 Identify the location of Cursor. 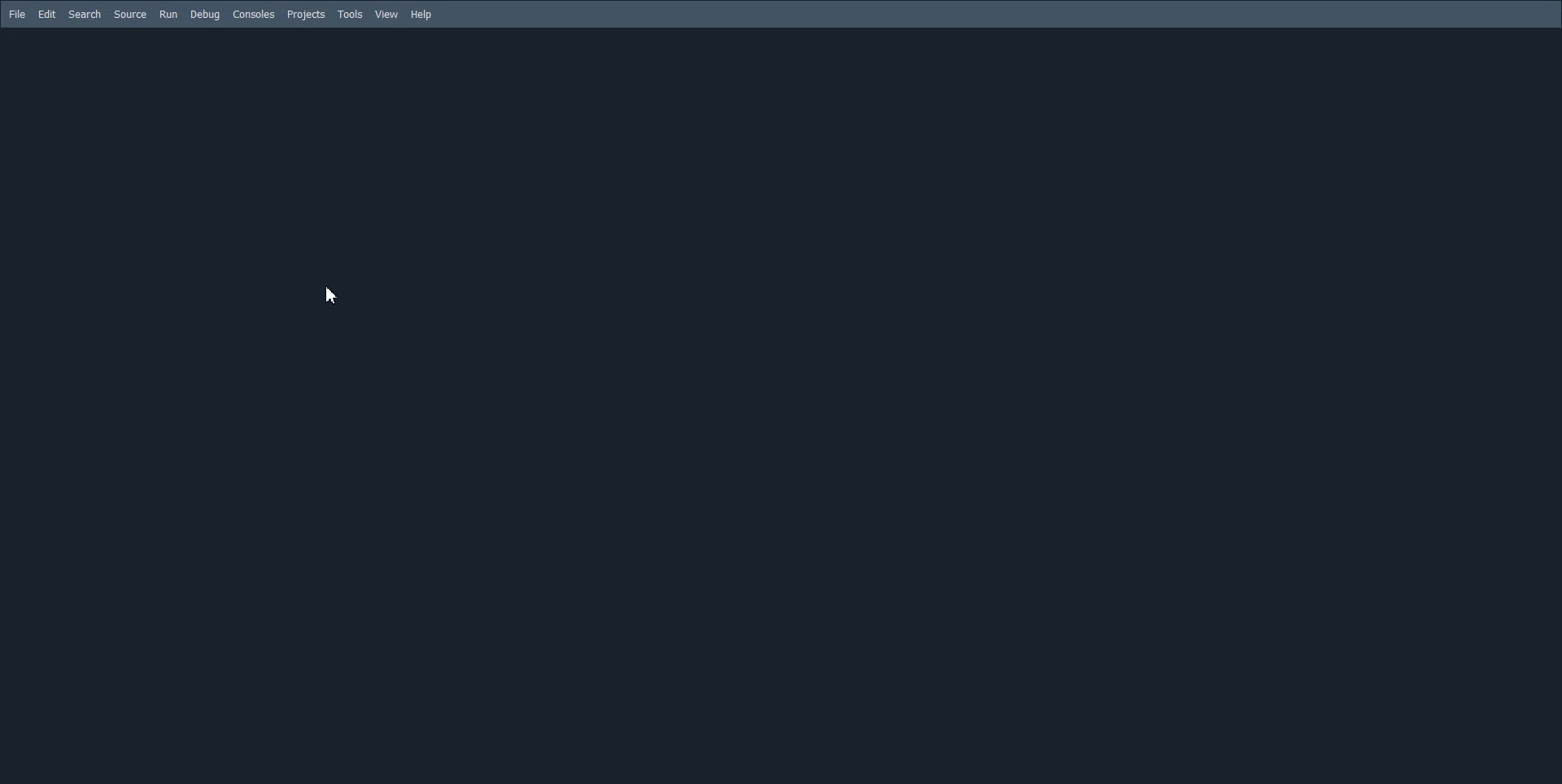
(334, 295).